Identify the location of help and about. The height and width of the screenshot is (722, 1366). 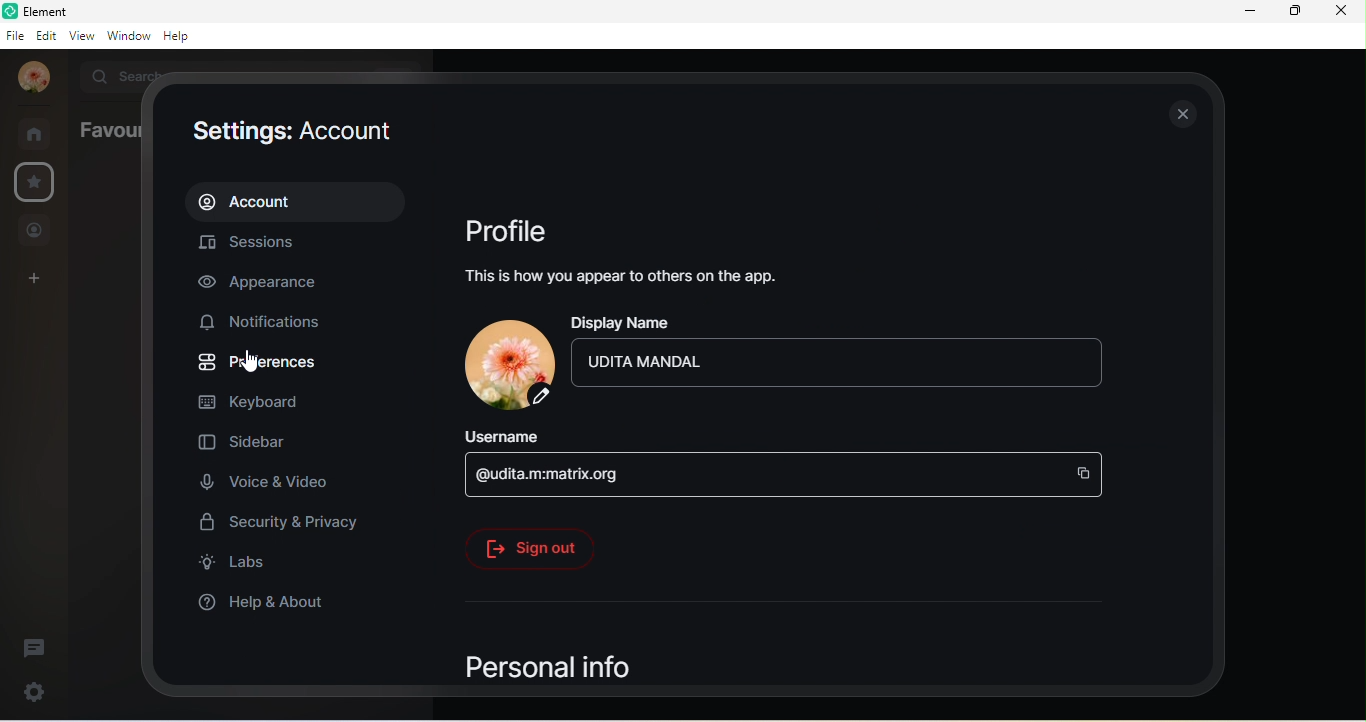
(265, 603).